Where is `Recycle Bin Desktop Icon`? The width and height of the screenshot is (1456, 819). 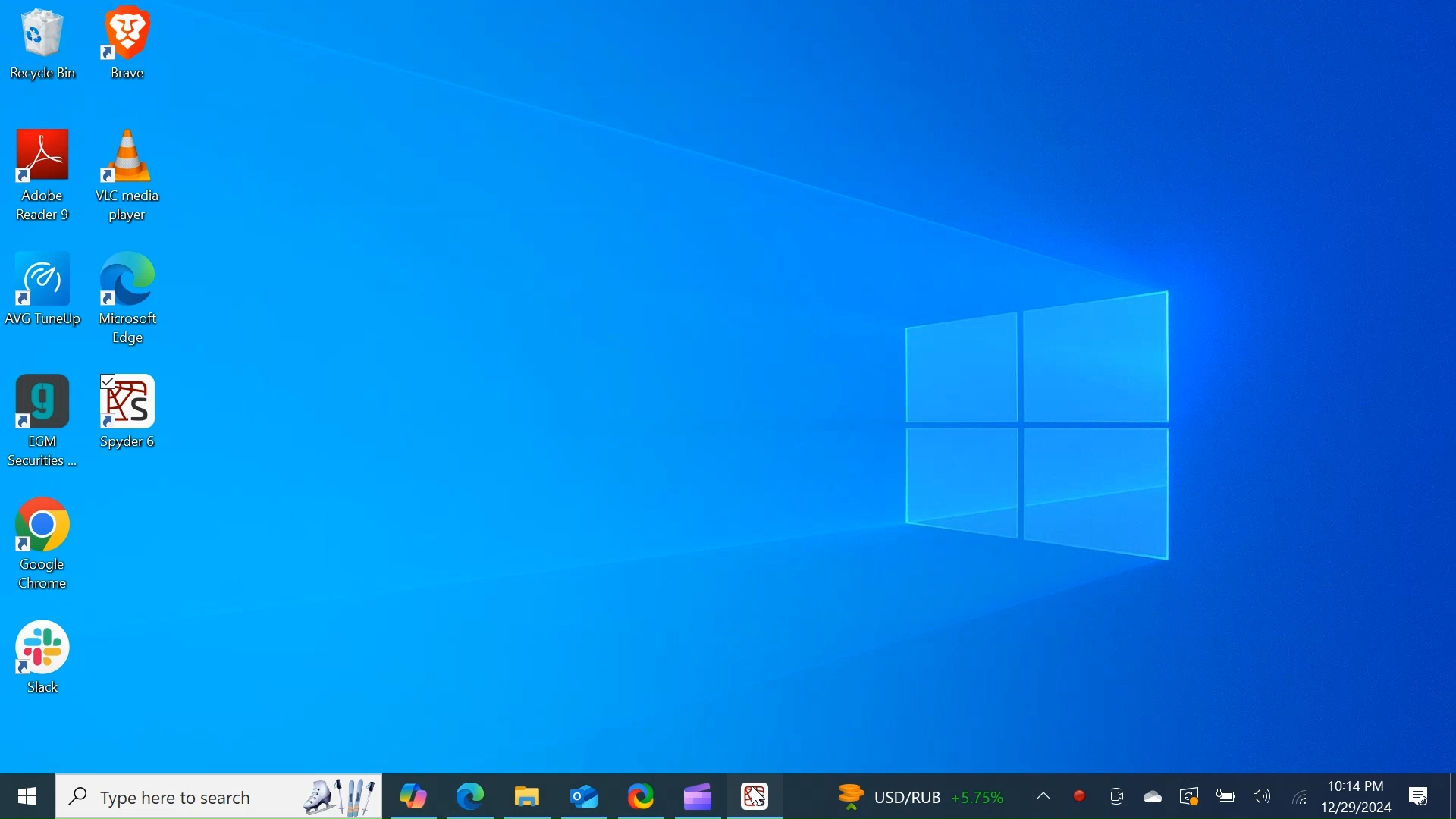
Recycle Bin Desktop Icon is located at coordinates (44, 47).